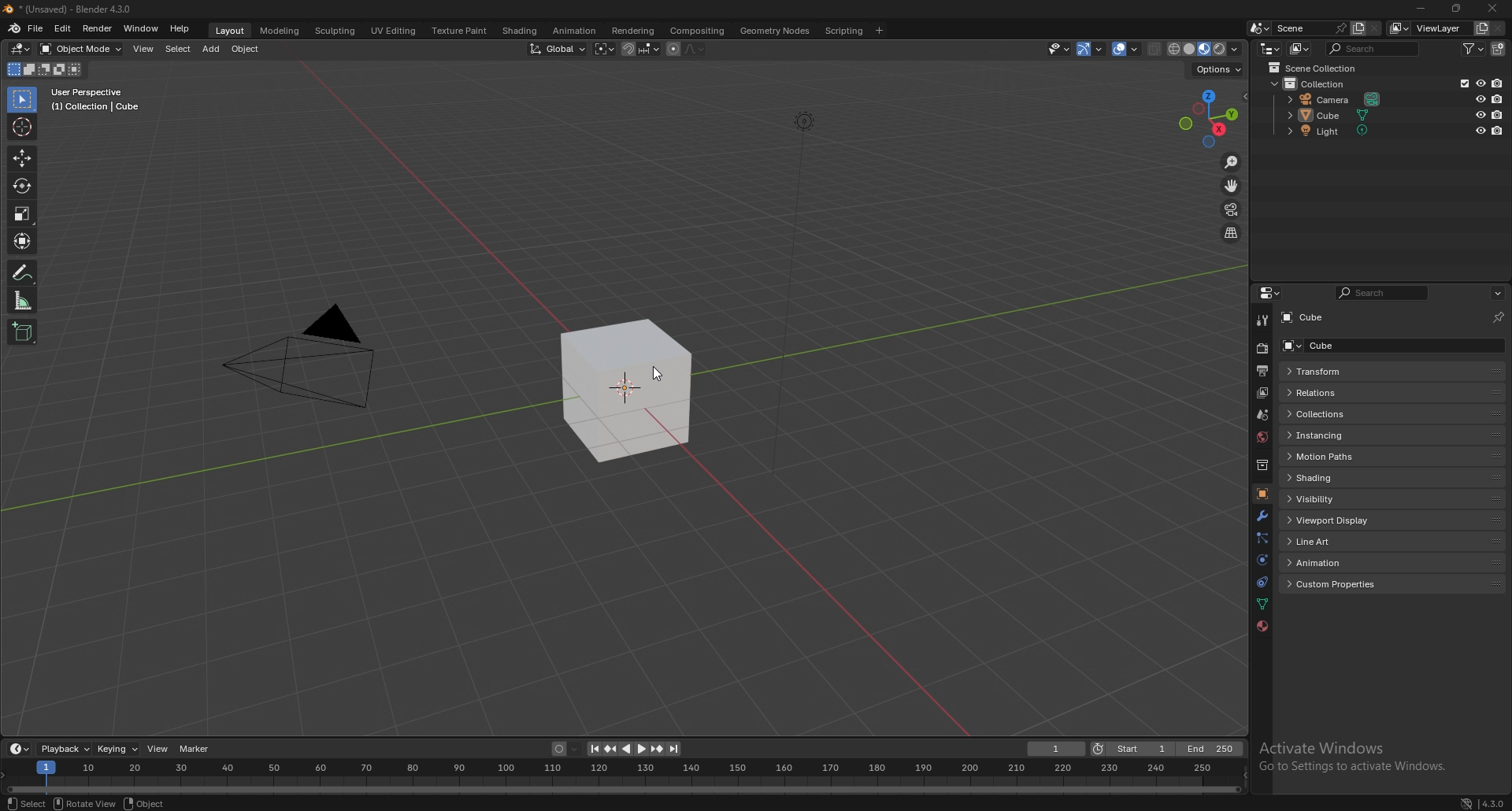 The width and height of the screenshot is (1512, 811). What do you see at coordinates (1480, 98) in the screenshot?
I see `hide in viewport` at bounding box center [1480, 98].